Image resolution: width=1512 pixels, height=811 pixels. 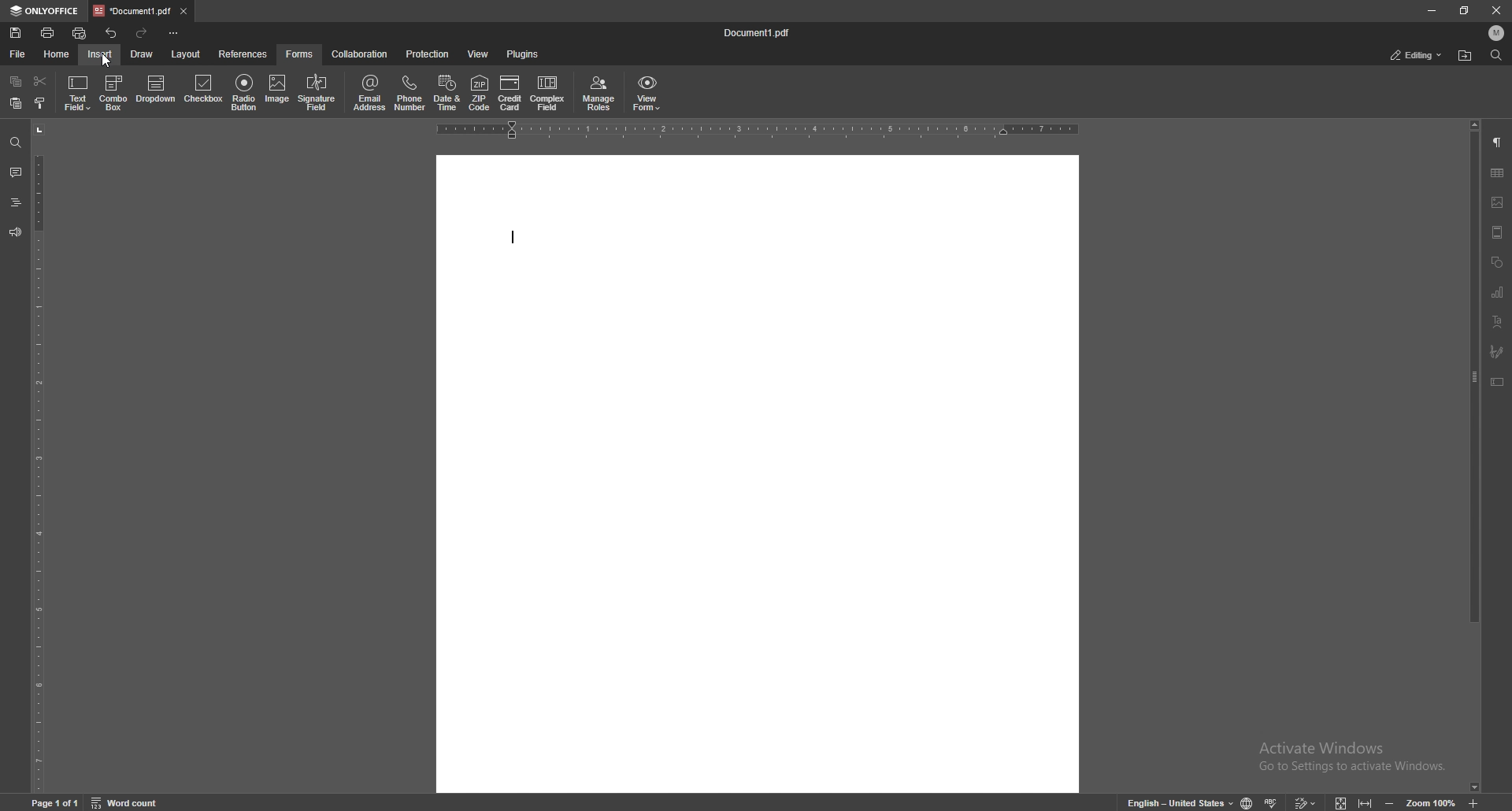 What do you see at coordinates (428, 54) in the screenshot?
I see `protection` at bounding box center [428, 54].